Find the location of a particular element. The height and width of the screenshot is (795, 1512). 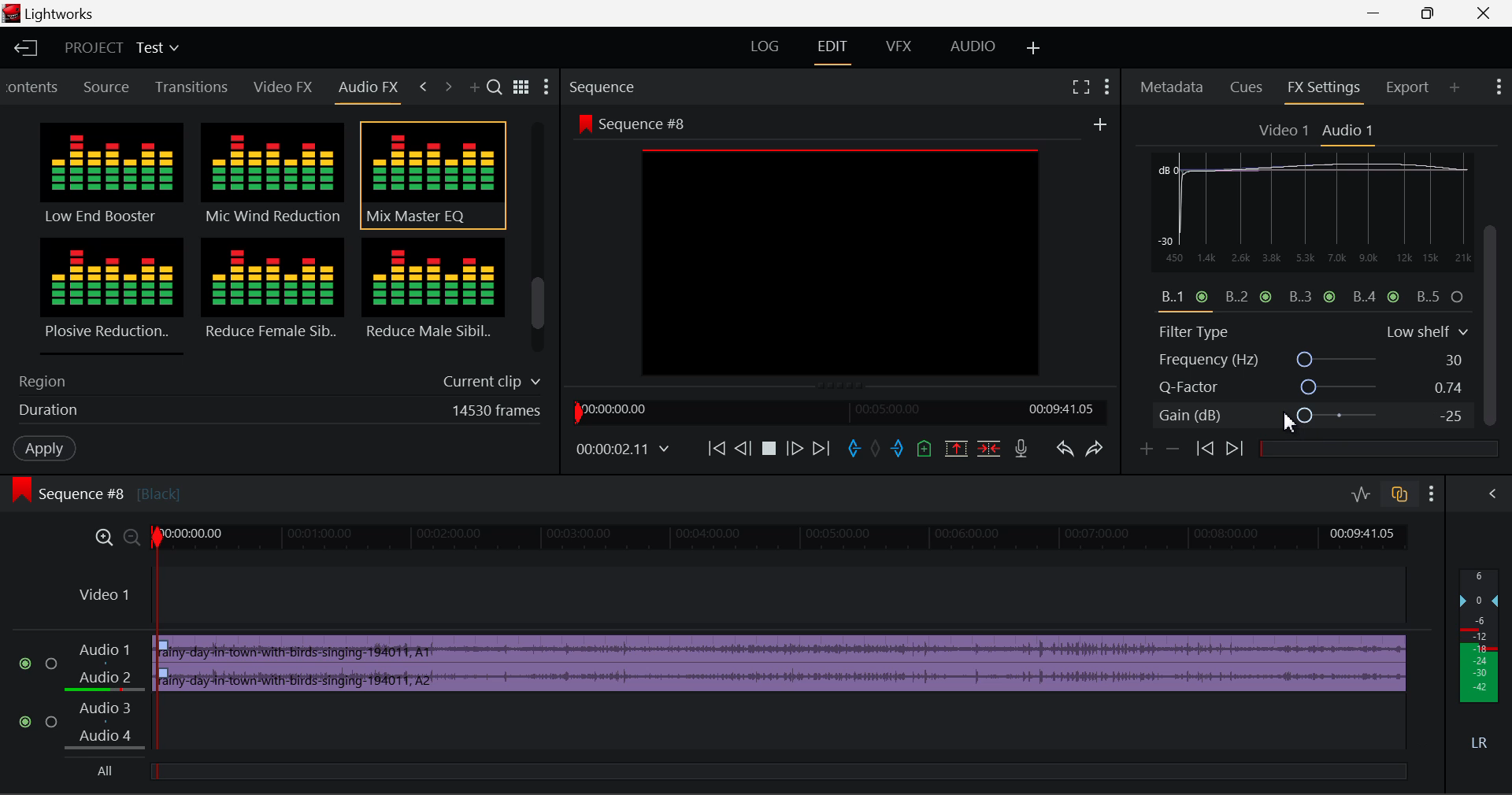

LOG Layout is located at coordinates (762, 47).